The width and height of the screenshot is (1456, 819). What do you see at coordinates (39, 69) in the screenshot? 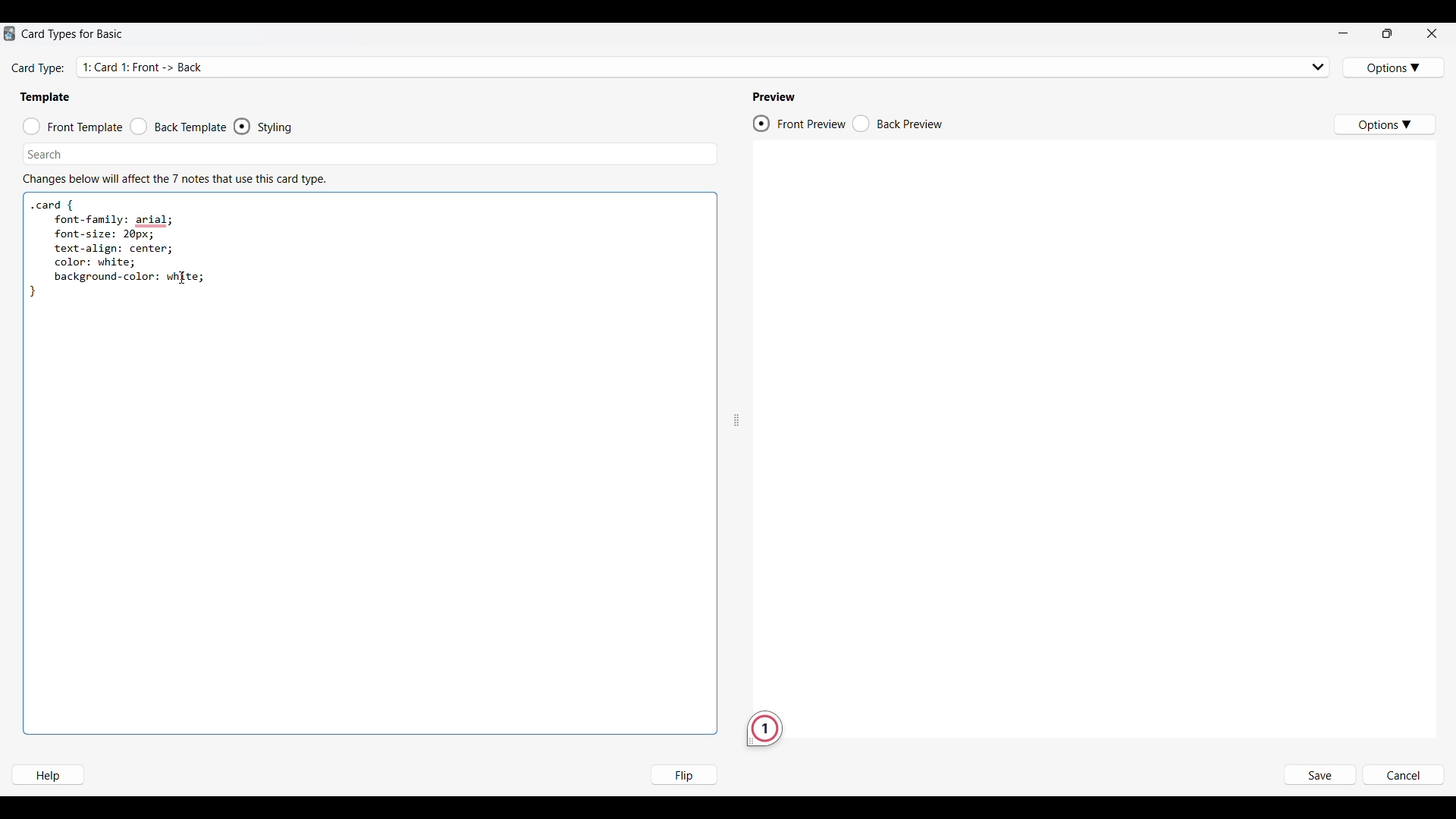
I see `Indicates card type setting` at bounding box center [39, 69].